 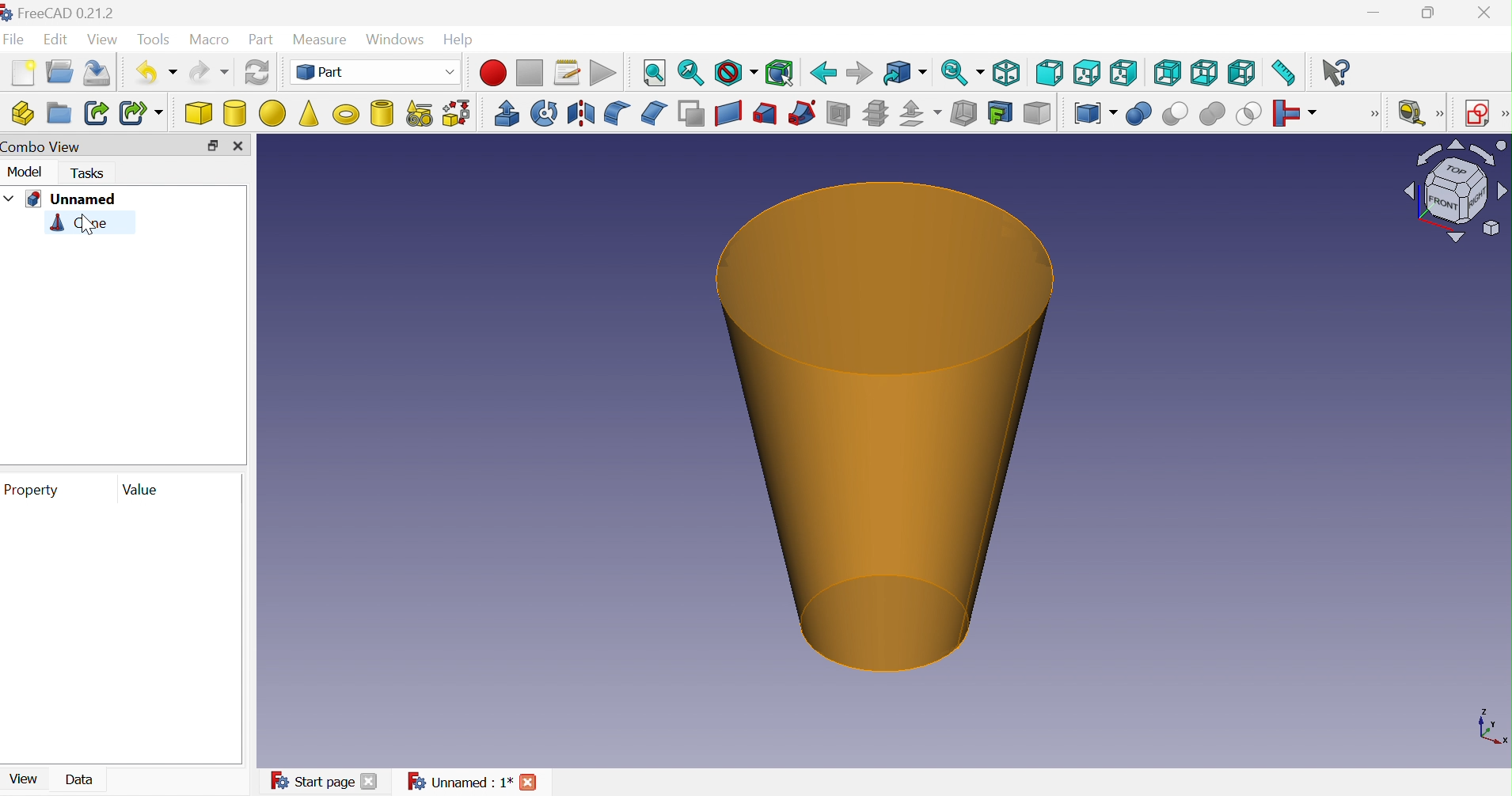 I want to click on Make sub-link, so click(x=140, y=112).